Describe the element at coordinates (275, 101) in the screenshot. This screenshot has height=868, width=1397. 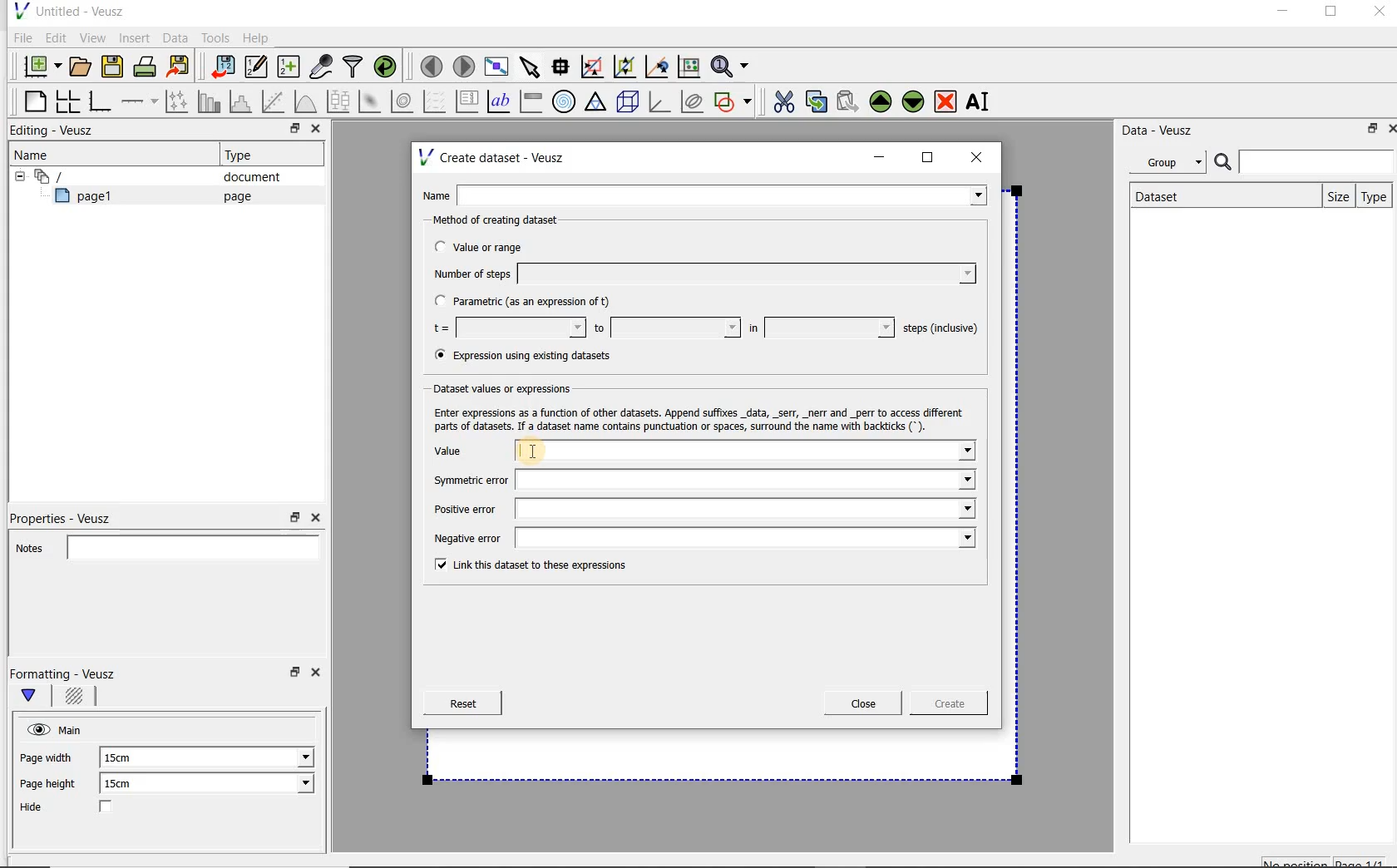
I see `Fit a function to data` at that location.